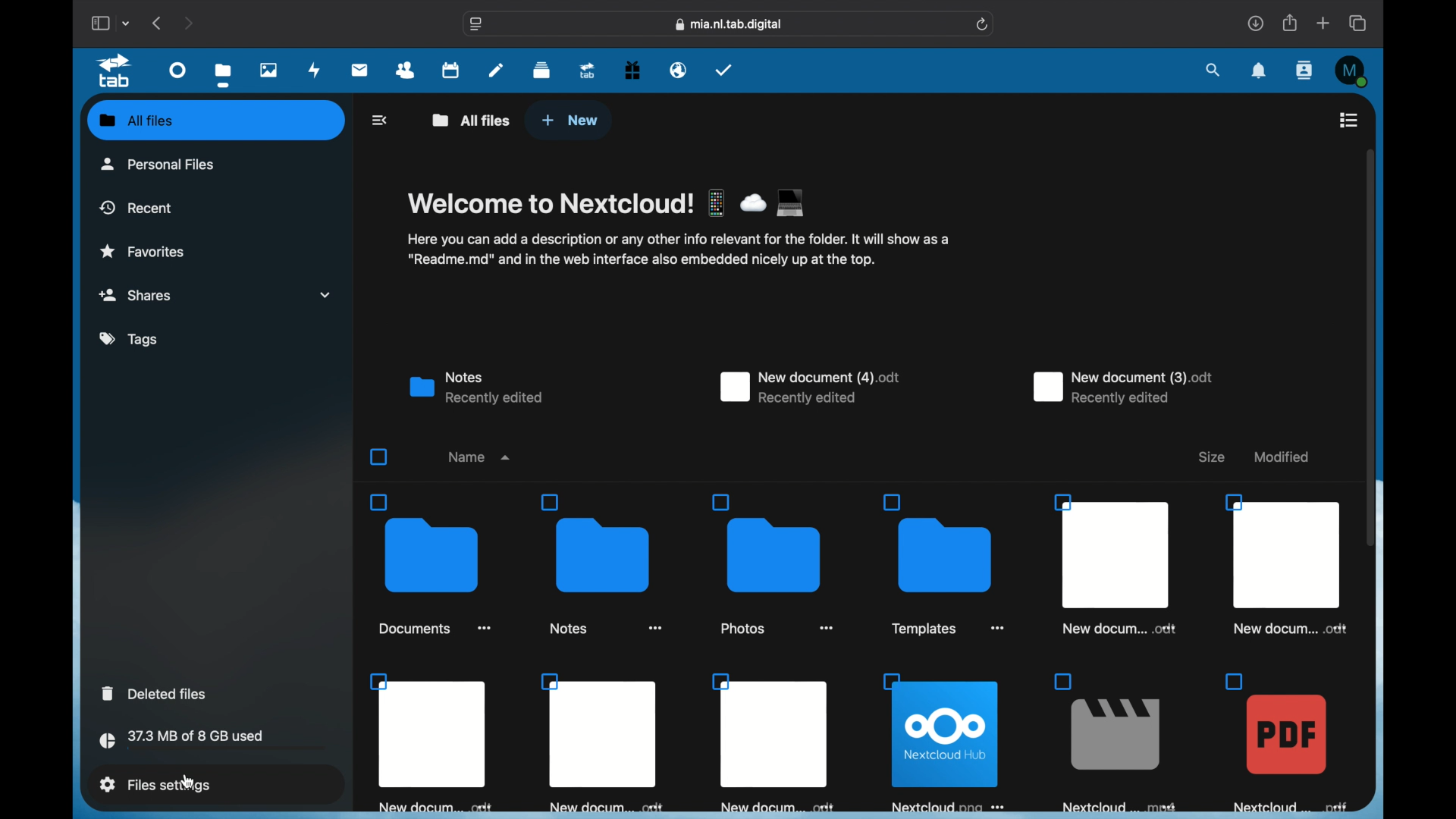 The width and height of the screenshot is (1456, 819). What do you see at coordinates (1214, 69) in the screenshot?
I see `search` at bounding box center [1214, 69].